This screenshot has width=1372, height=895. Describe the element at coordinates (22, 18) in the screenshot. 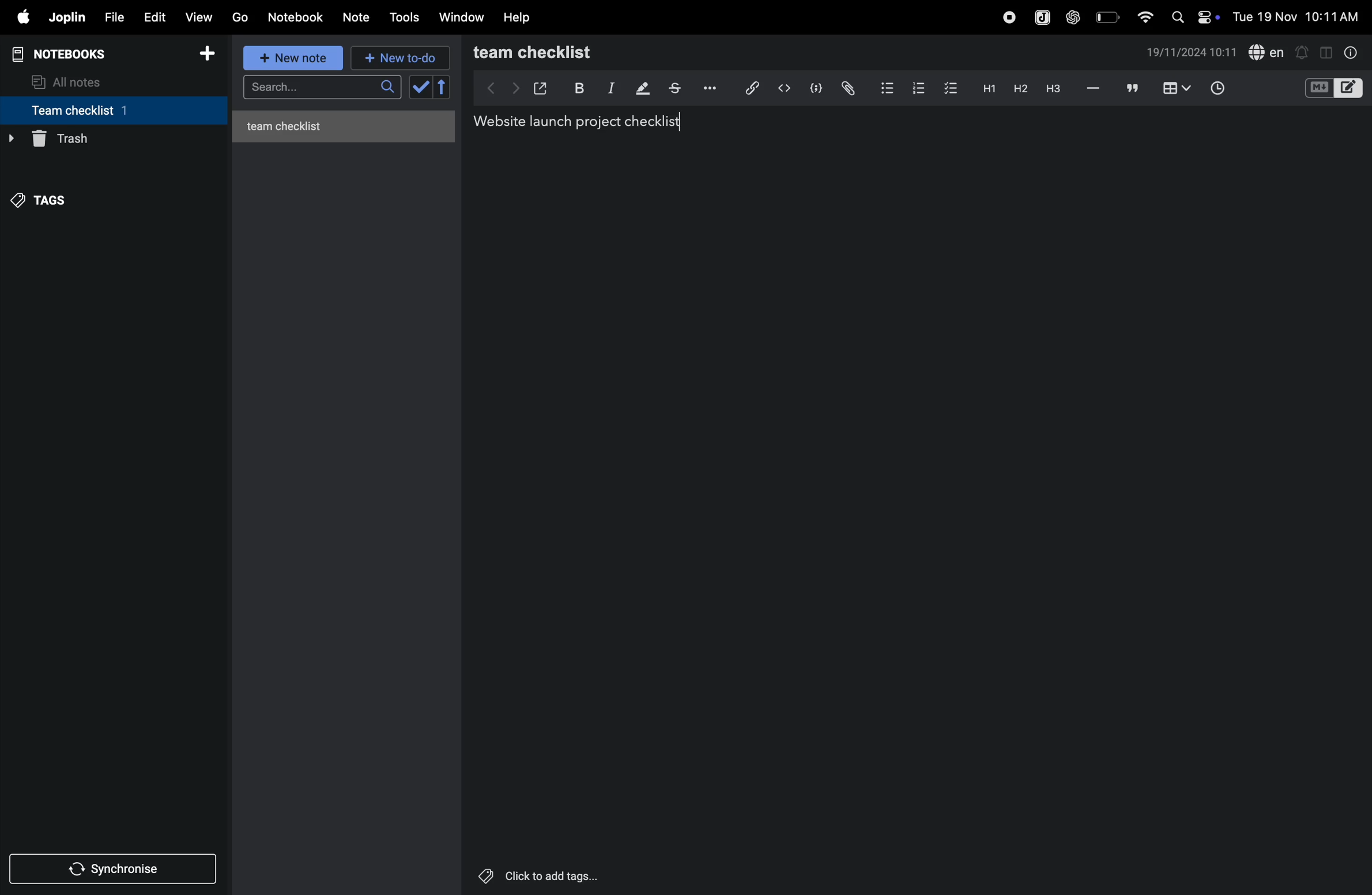

I see `apple menu` at that location.